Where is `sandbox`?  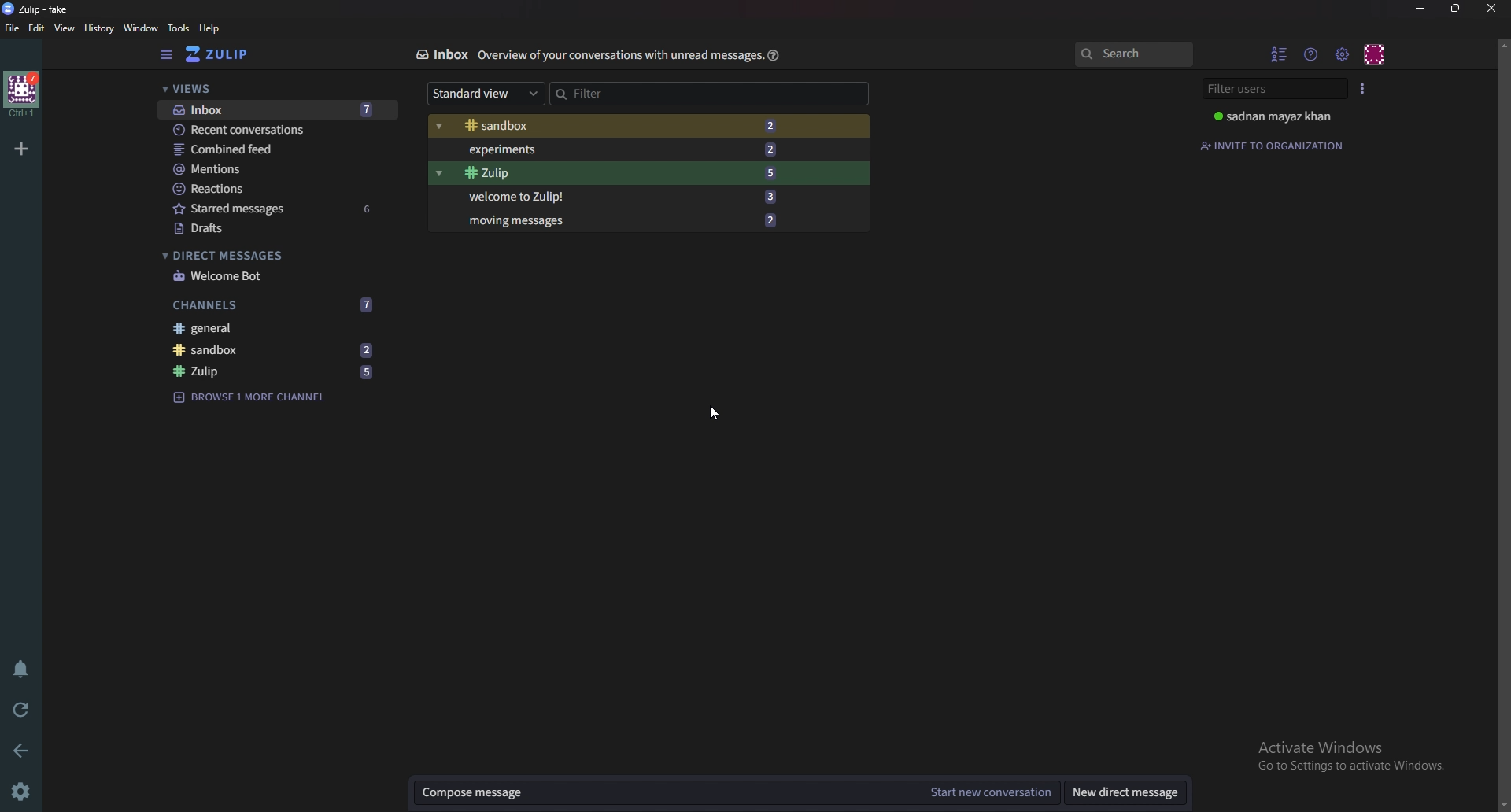 sandbox is located at coordinates (278, 350).